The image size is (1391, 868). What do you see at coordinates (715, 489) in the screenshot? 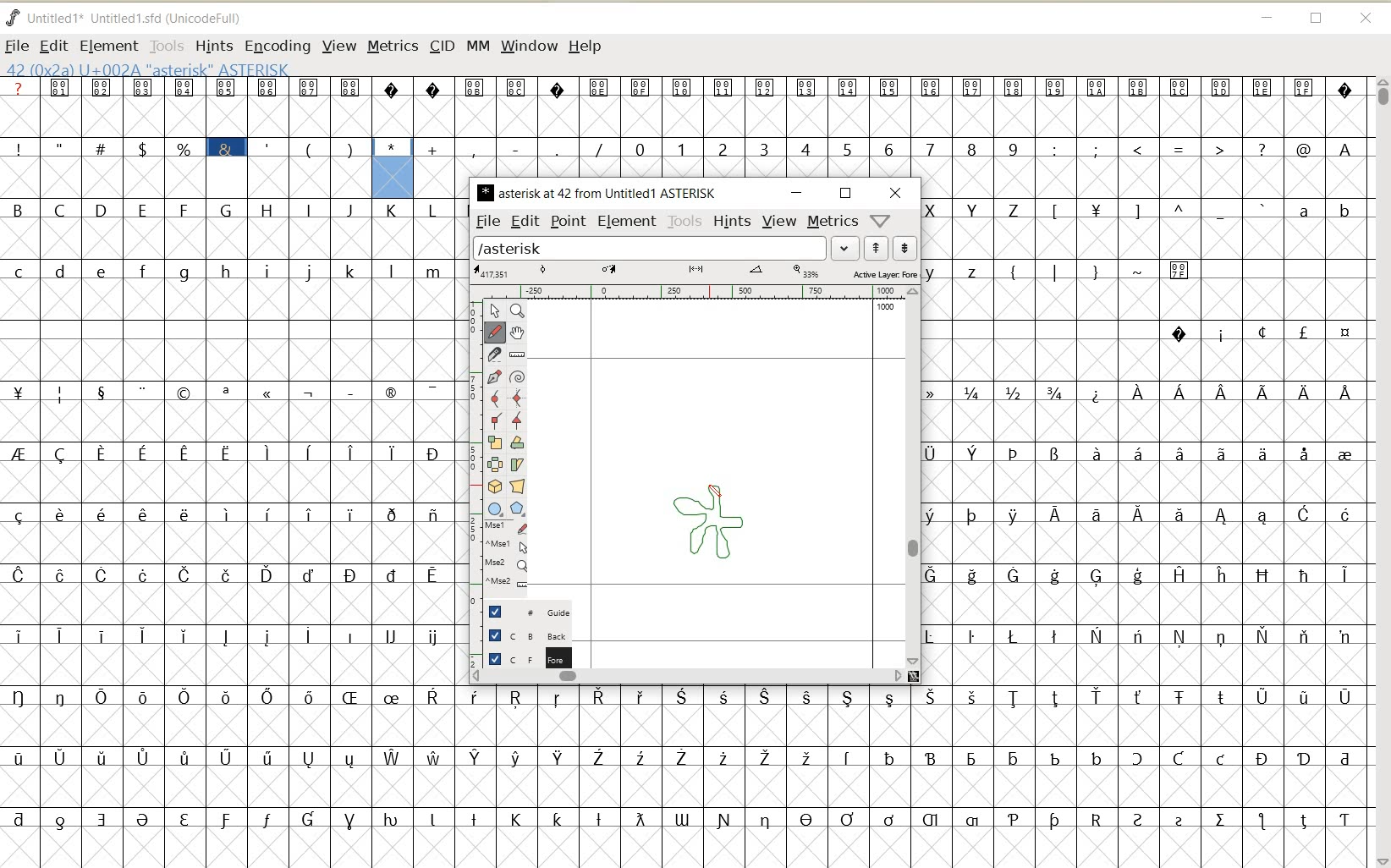
I see `pen tool (draw a freehand curve)/cursor position` at bounding box center [715, 489].